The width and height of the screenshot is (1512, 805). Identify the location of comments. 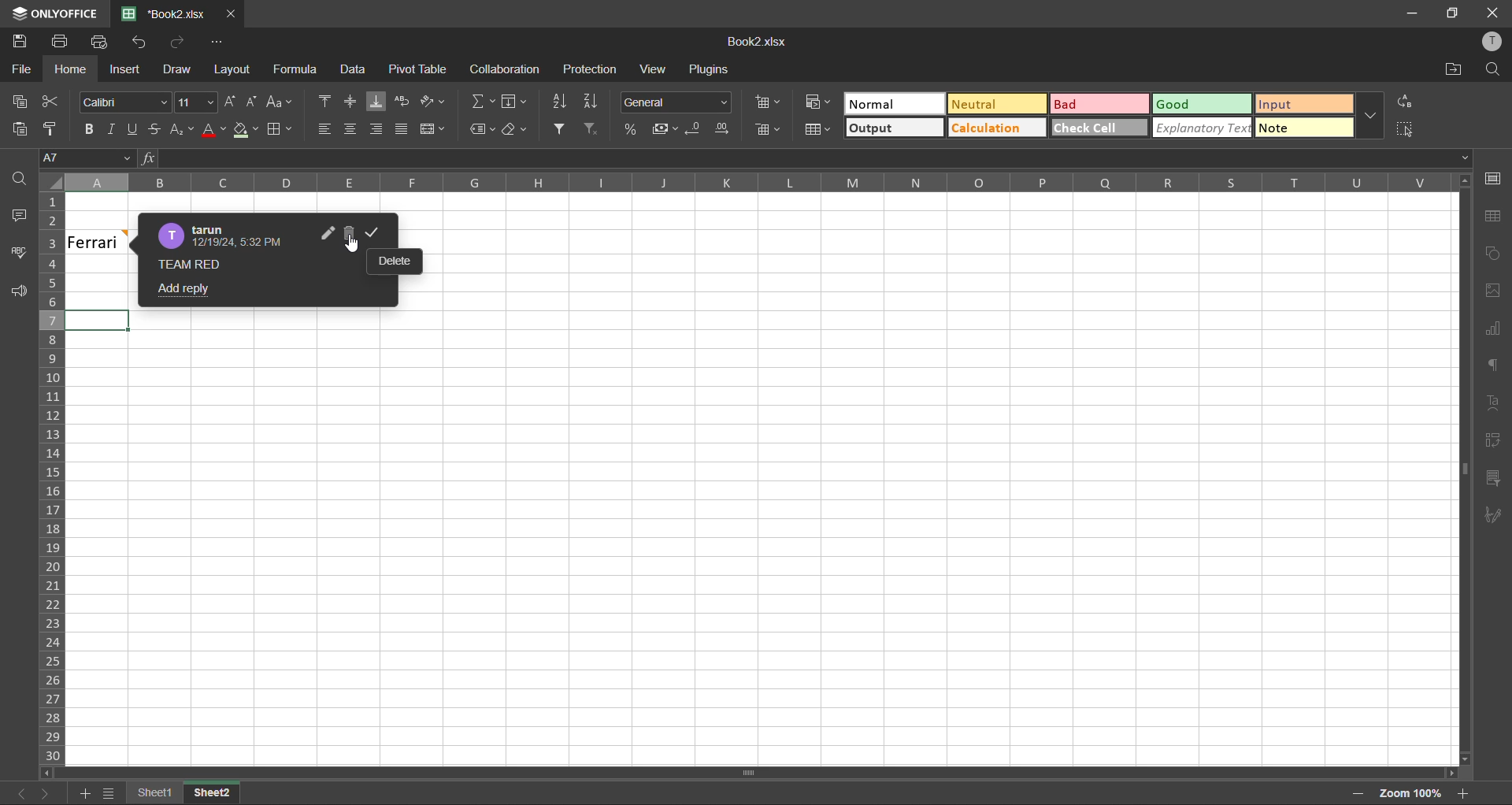
(22, 220).